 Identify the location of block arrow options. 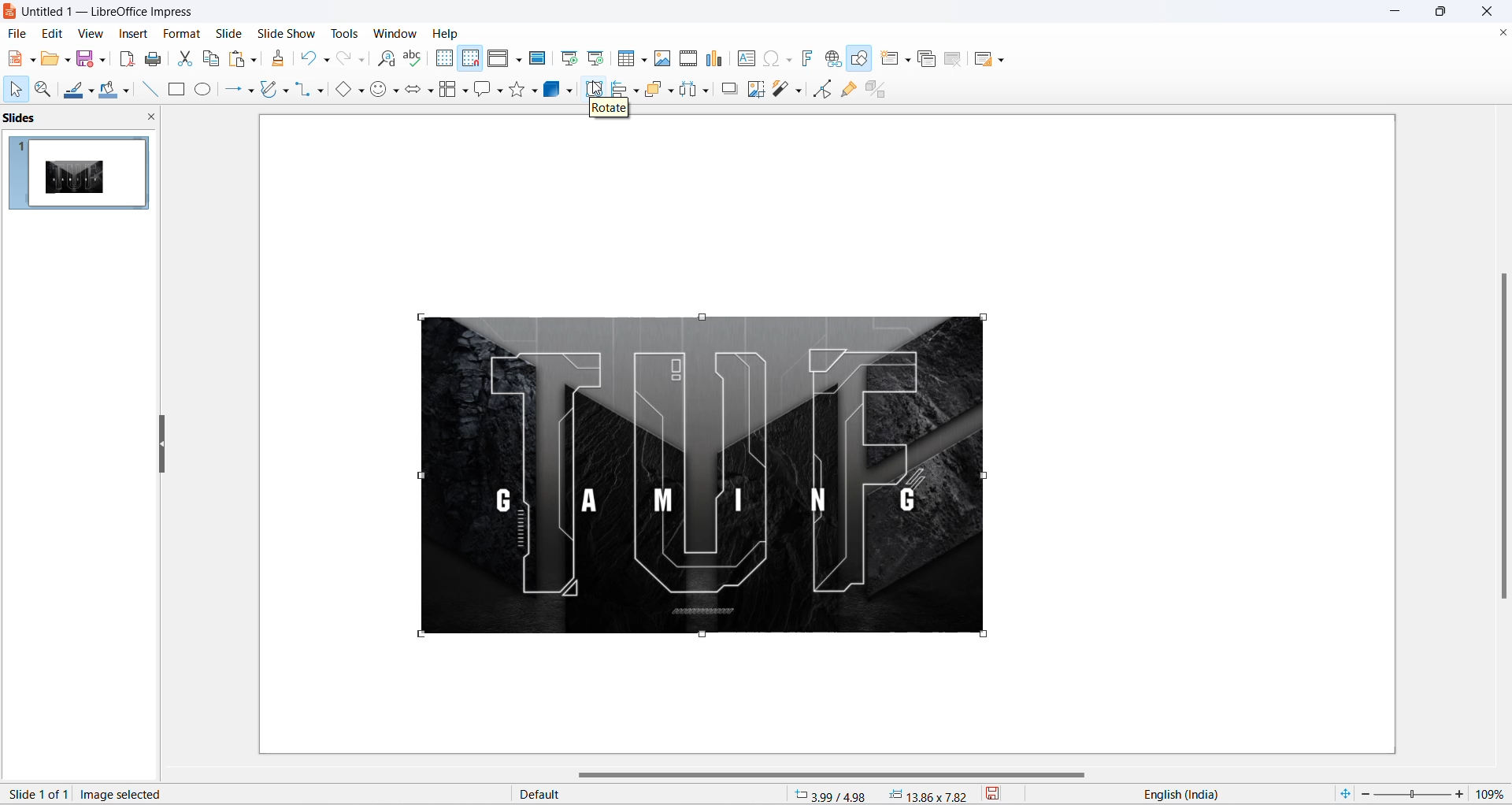
(431, 92).